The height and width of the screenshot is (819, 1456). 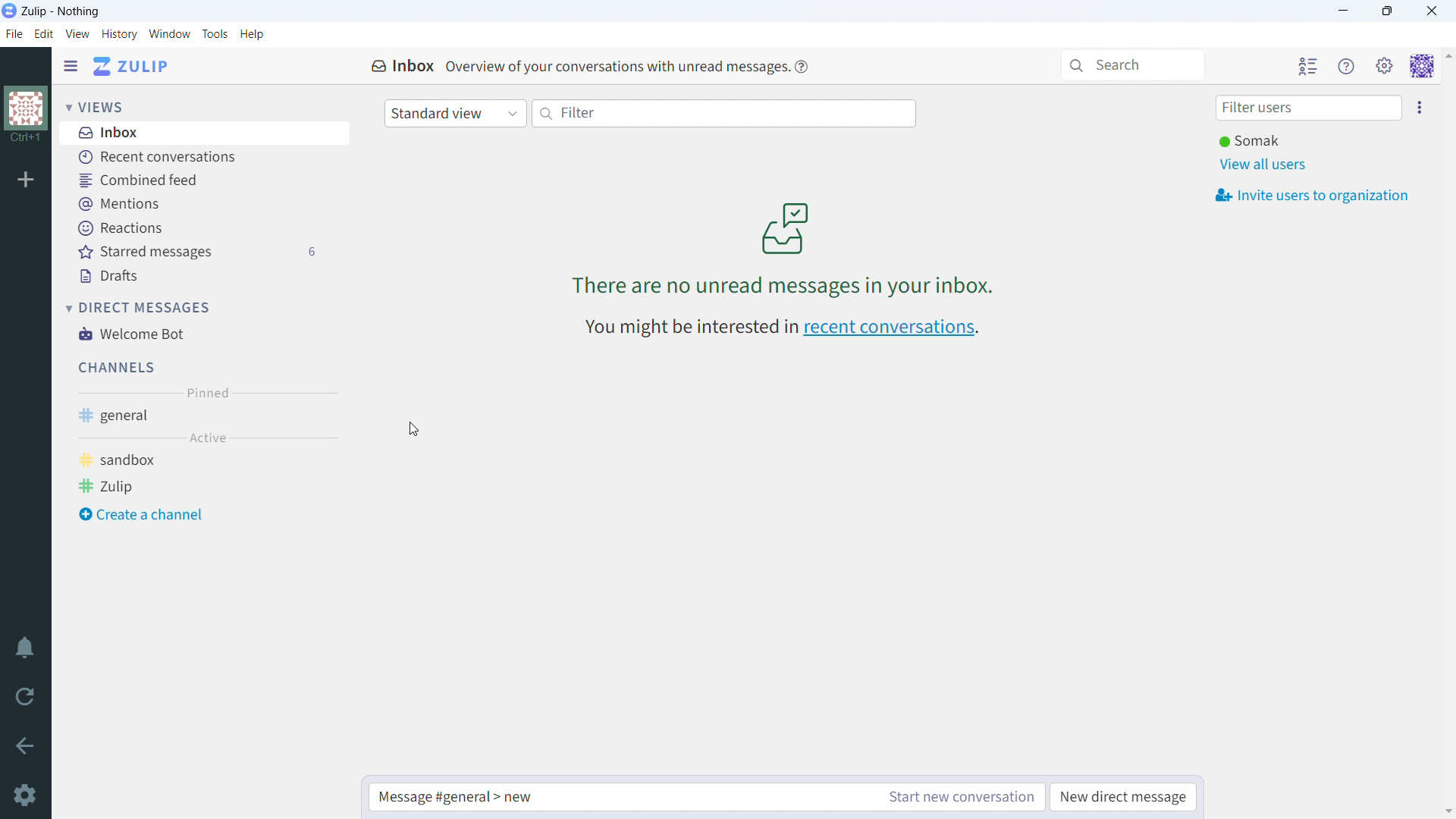 I want to click on welcome bot, so click(x=195, y=334).